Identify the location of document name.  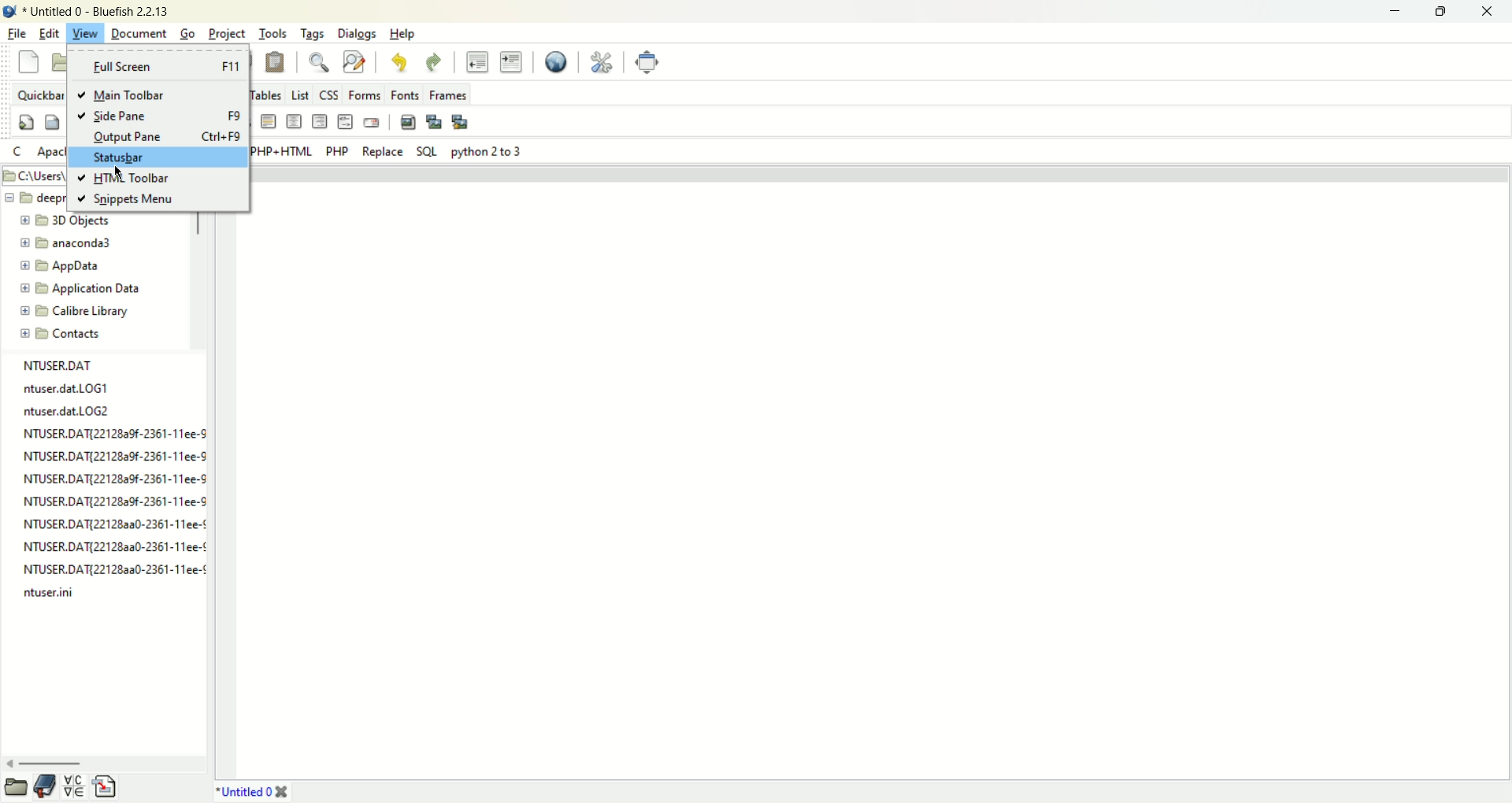
(244, 793).